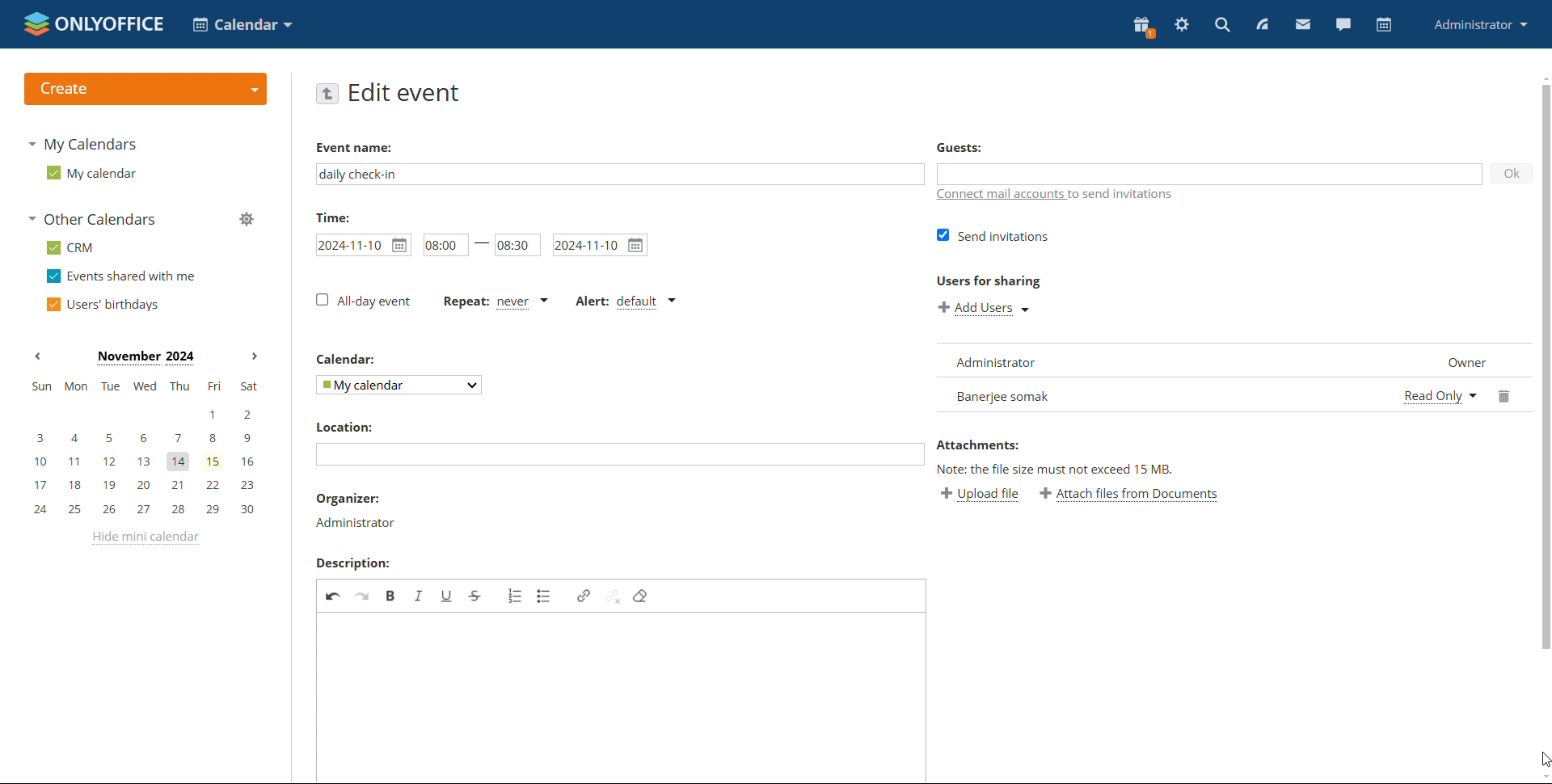  I want to click on delete user, so click(1505, 396).